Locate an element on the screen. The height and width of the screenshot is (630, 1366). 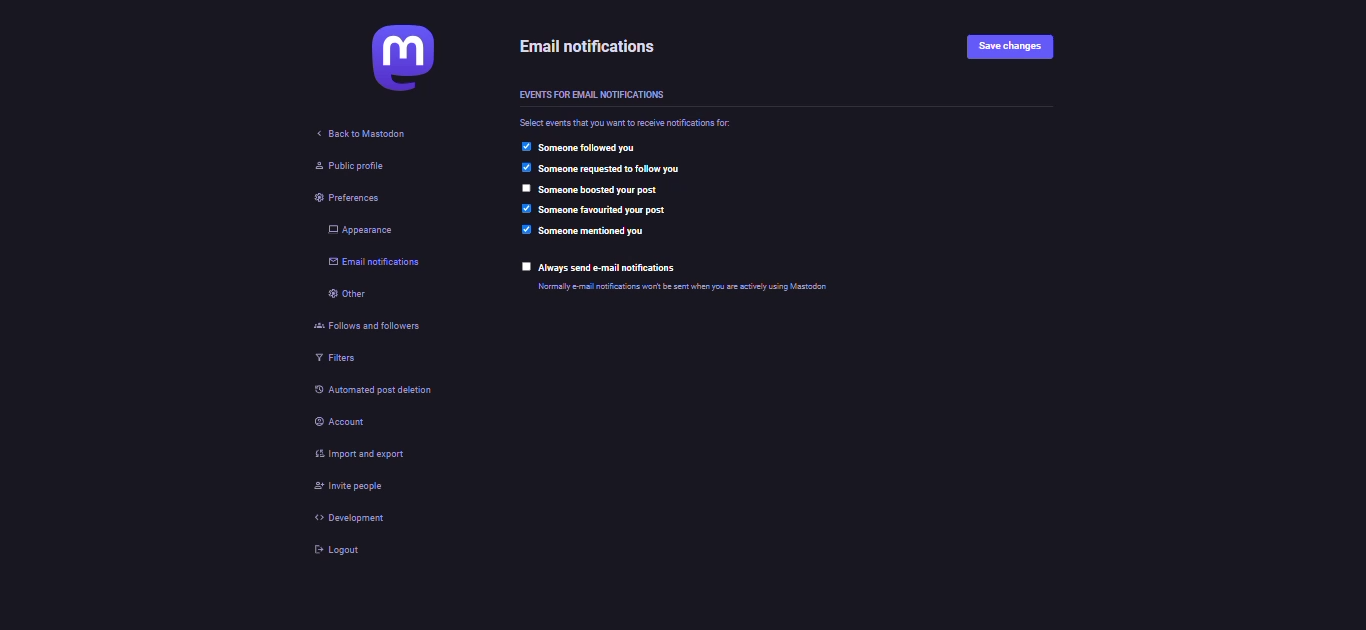
logout is located at coordinates (339, 552).